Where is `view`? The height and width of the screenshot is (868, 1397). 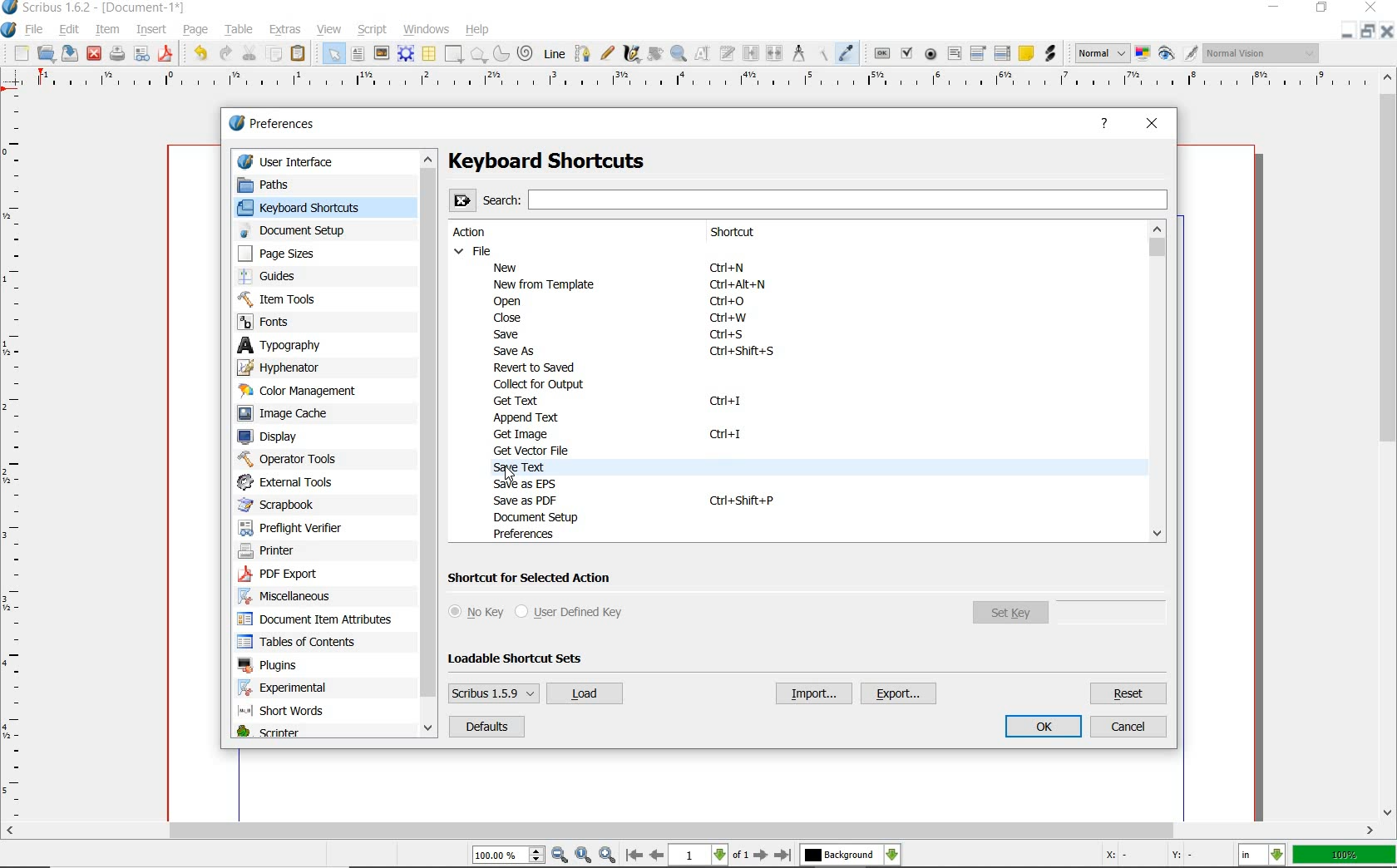
view is located at coordinates (330, 30).